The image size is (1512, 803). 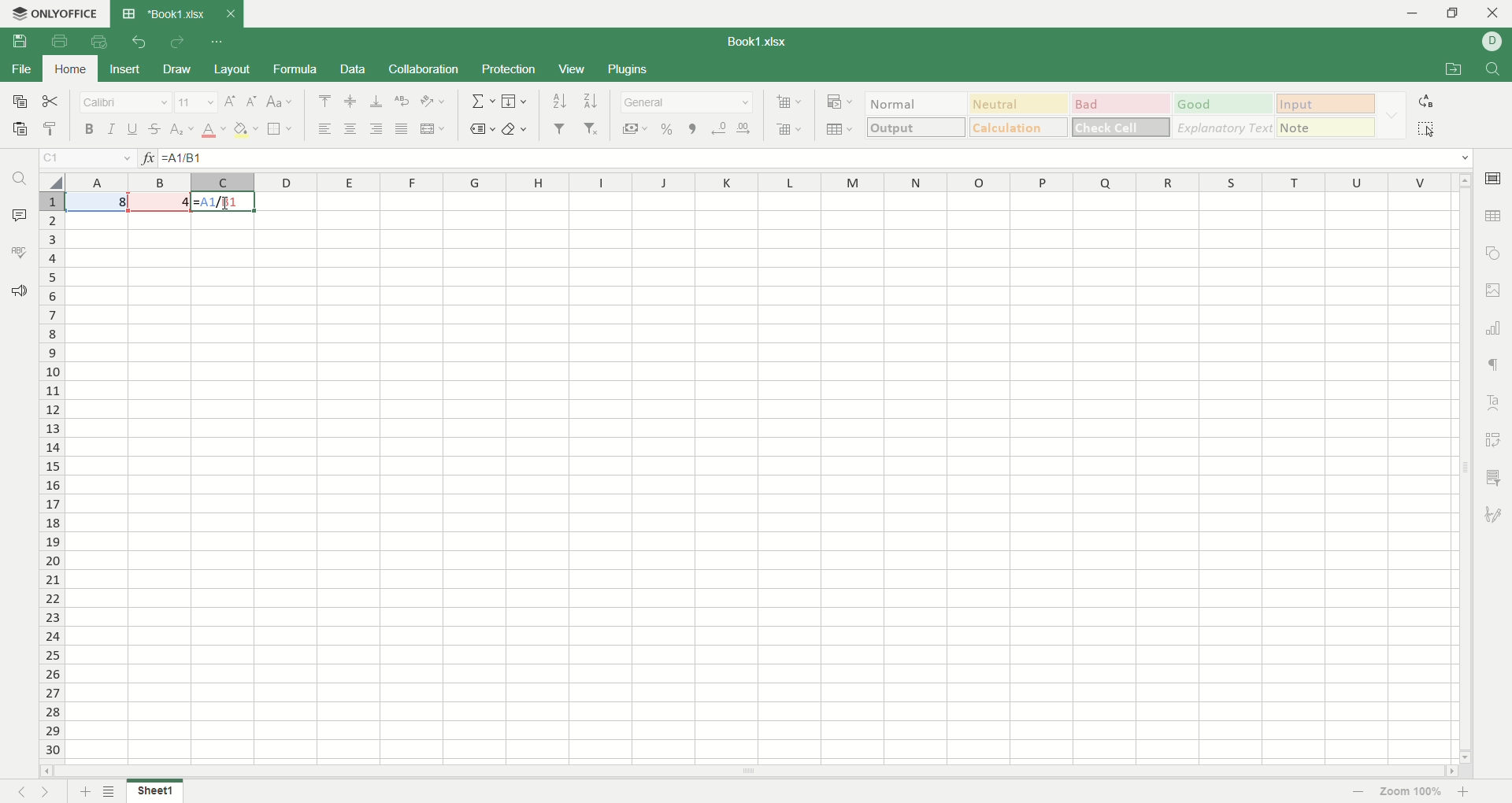 What do you see at coordinates (1429, 104) in the screenshot?
I see `replace` at bounding box center [1429, 104].